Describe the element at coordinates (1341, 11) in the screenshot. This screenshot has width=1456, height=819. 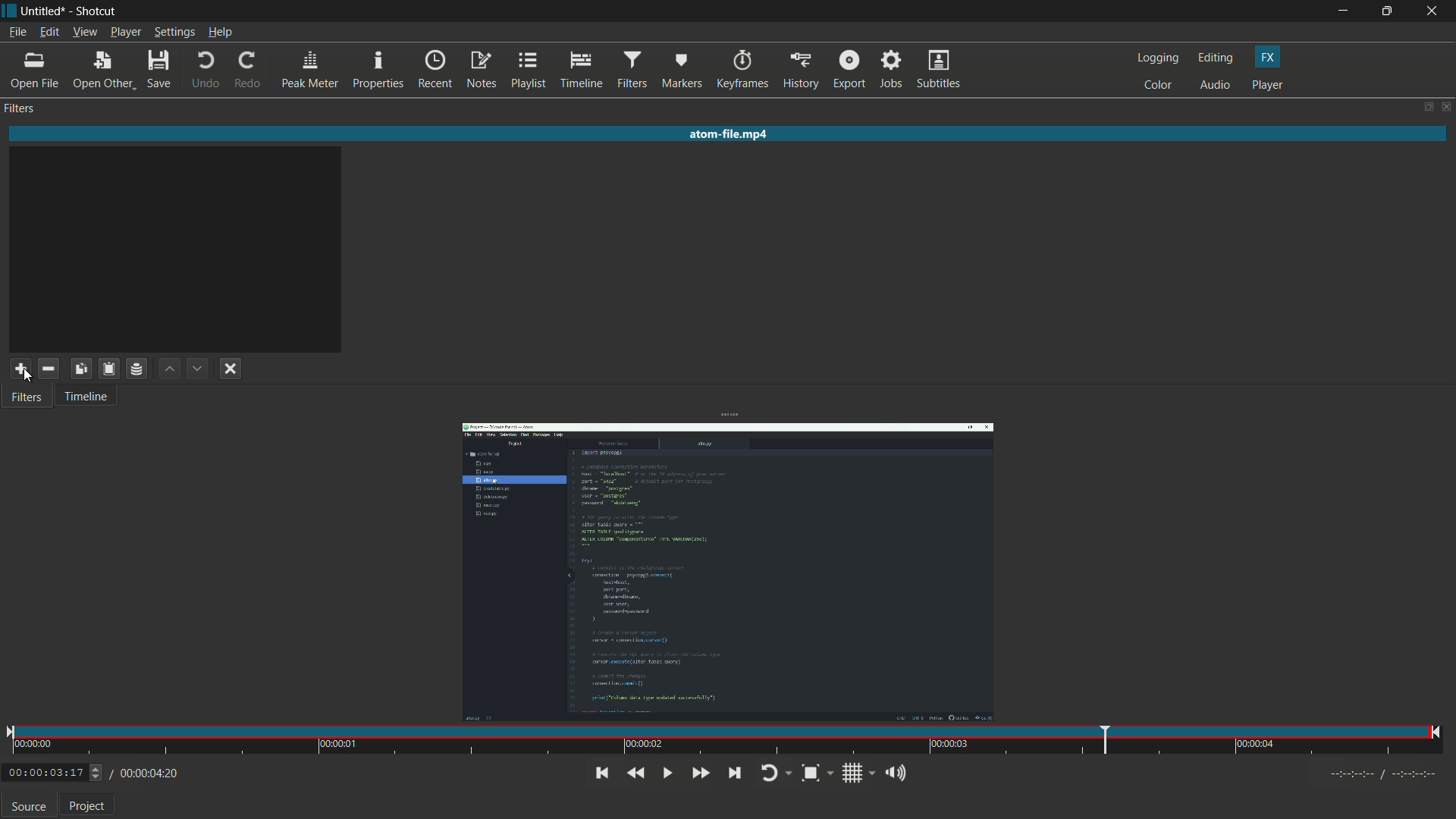
I see `minimize` at that location.